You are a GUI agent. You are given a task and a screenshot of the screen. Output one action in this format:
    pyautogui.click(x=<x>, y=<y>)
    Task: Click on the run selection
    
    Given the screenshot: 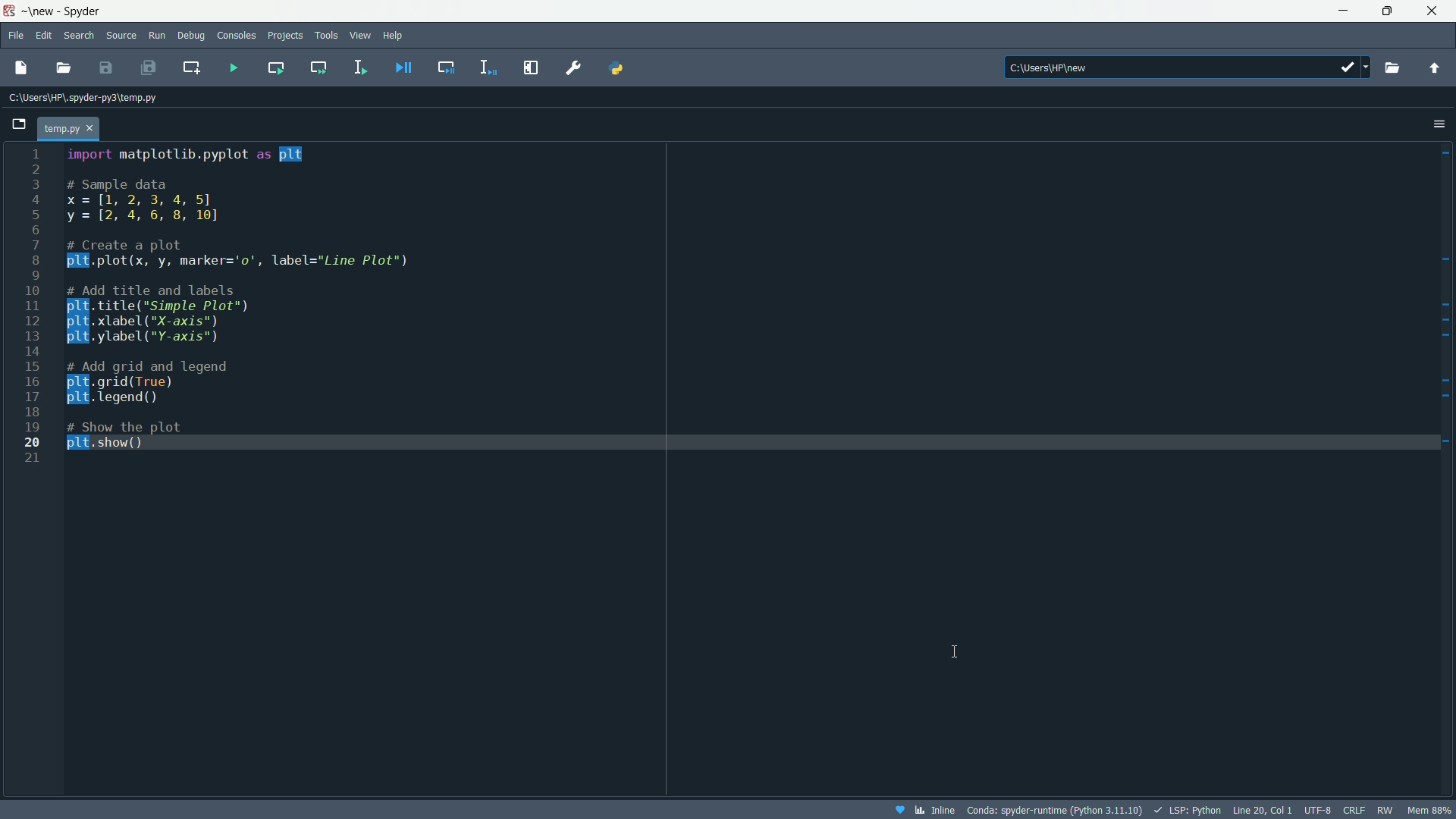 What is the action you would take?
    pyautogui.click(x=359, y=67)
    